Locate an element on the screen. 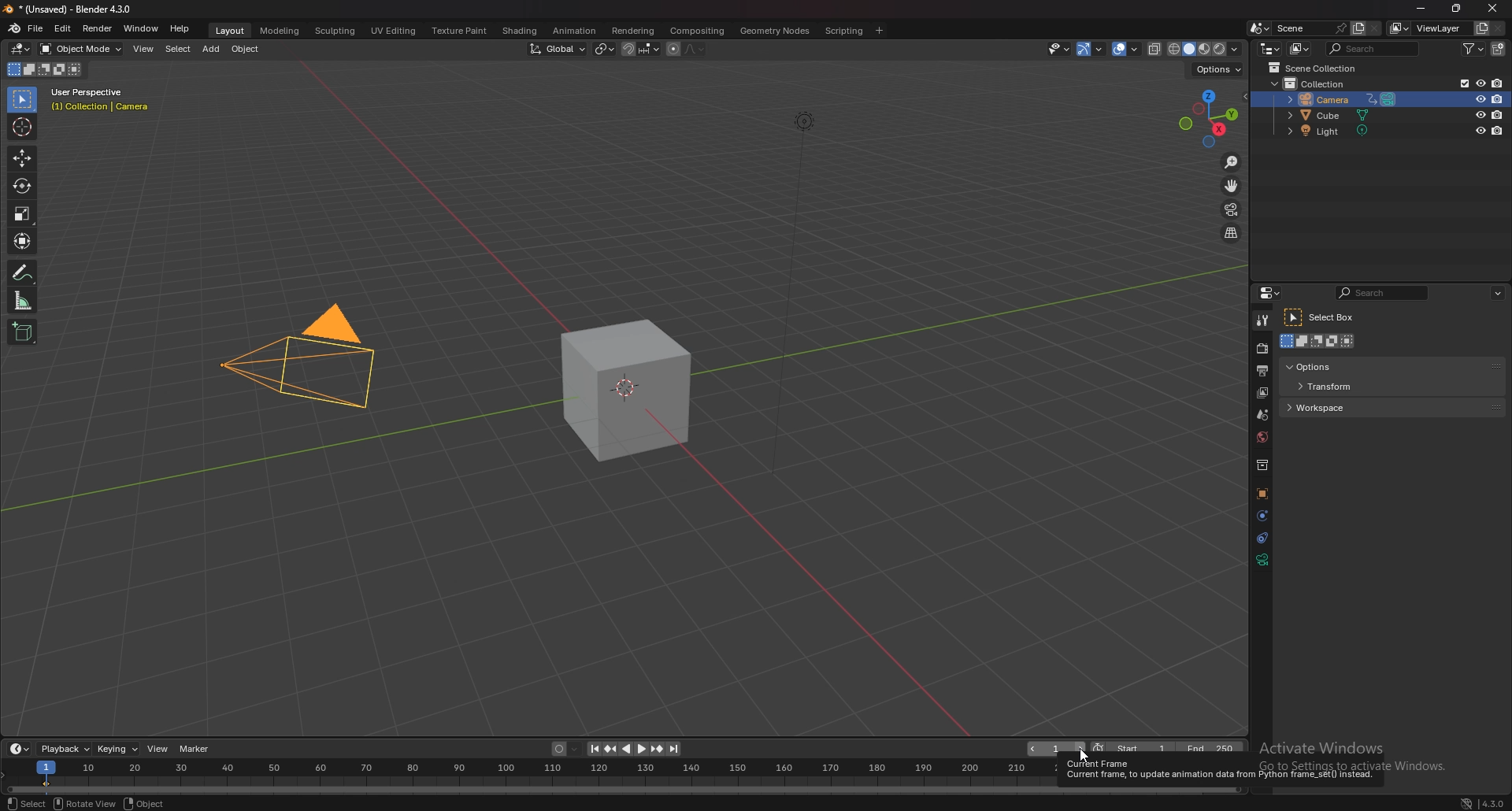 The image size is (1512, 811). modeling is located at coordinates (280, 31).